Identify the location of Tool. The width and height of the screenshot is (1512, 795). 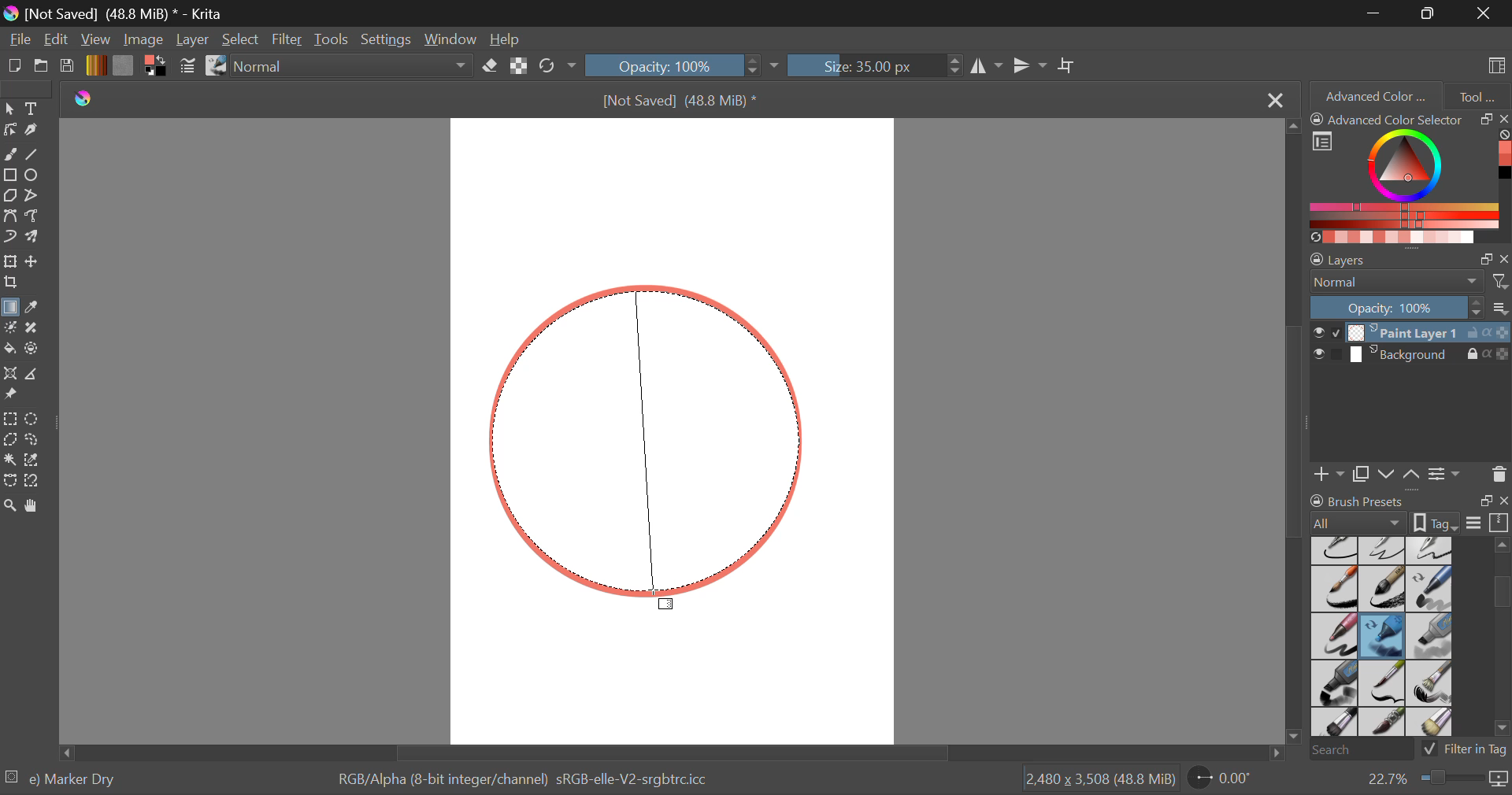
(9, 457).